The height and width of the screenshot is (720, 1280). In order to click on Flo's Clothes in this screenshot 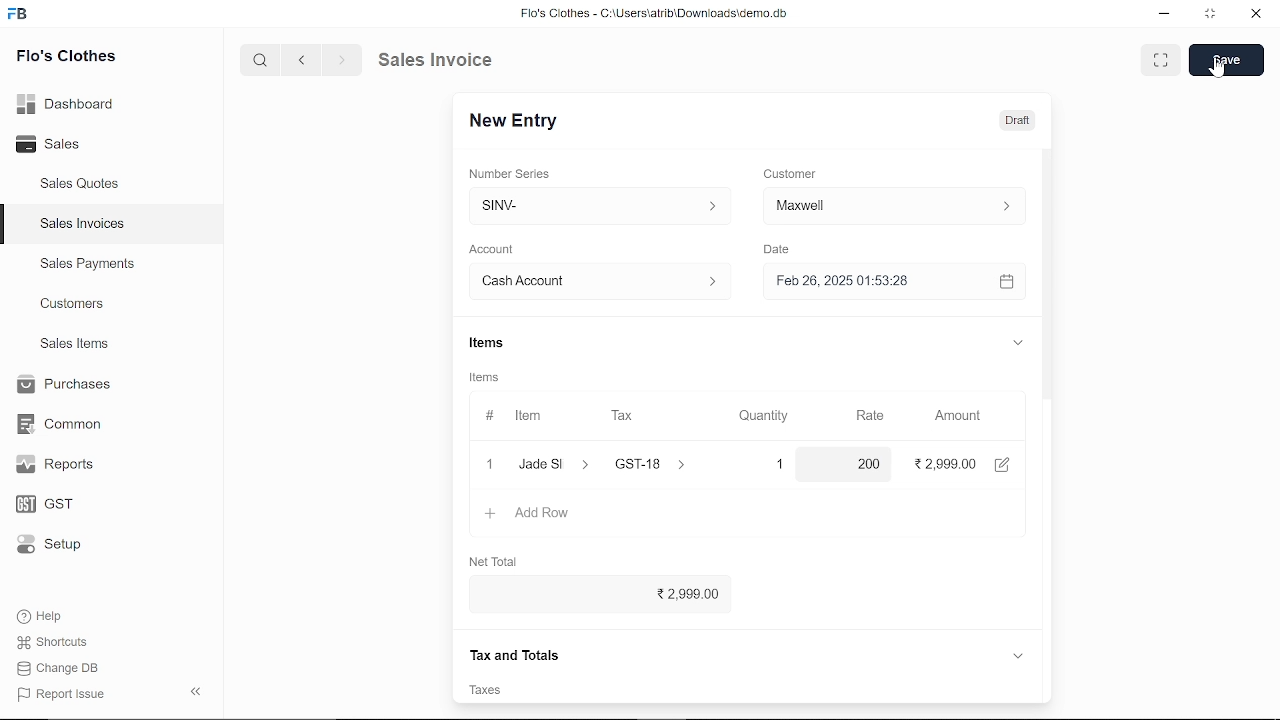, I will do `click(66, 58)`.